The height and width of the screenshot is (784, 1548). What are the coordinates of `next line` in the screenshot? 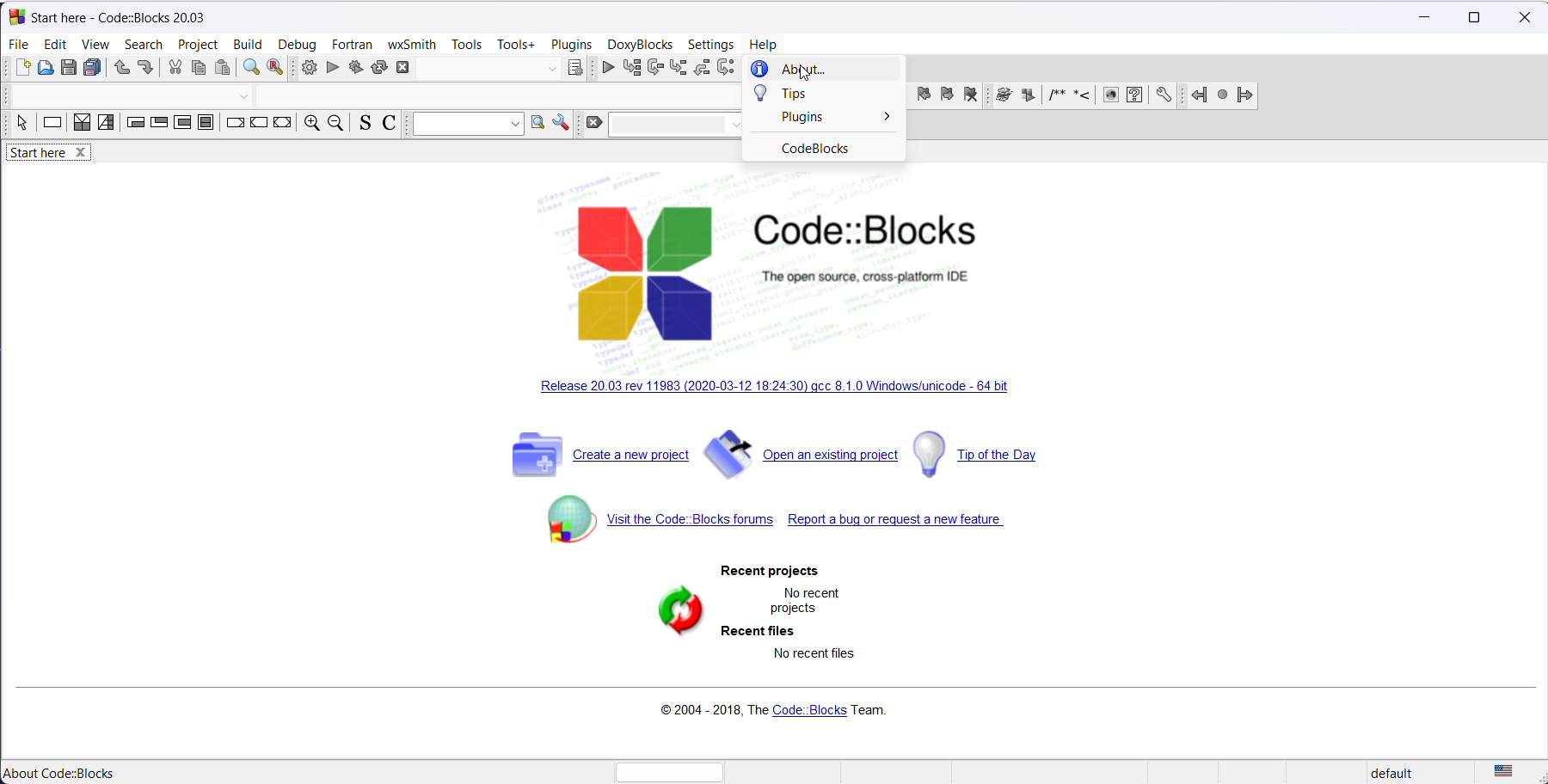 It's located at (654, 70).